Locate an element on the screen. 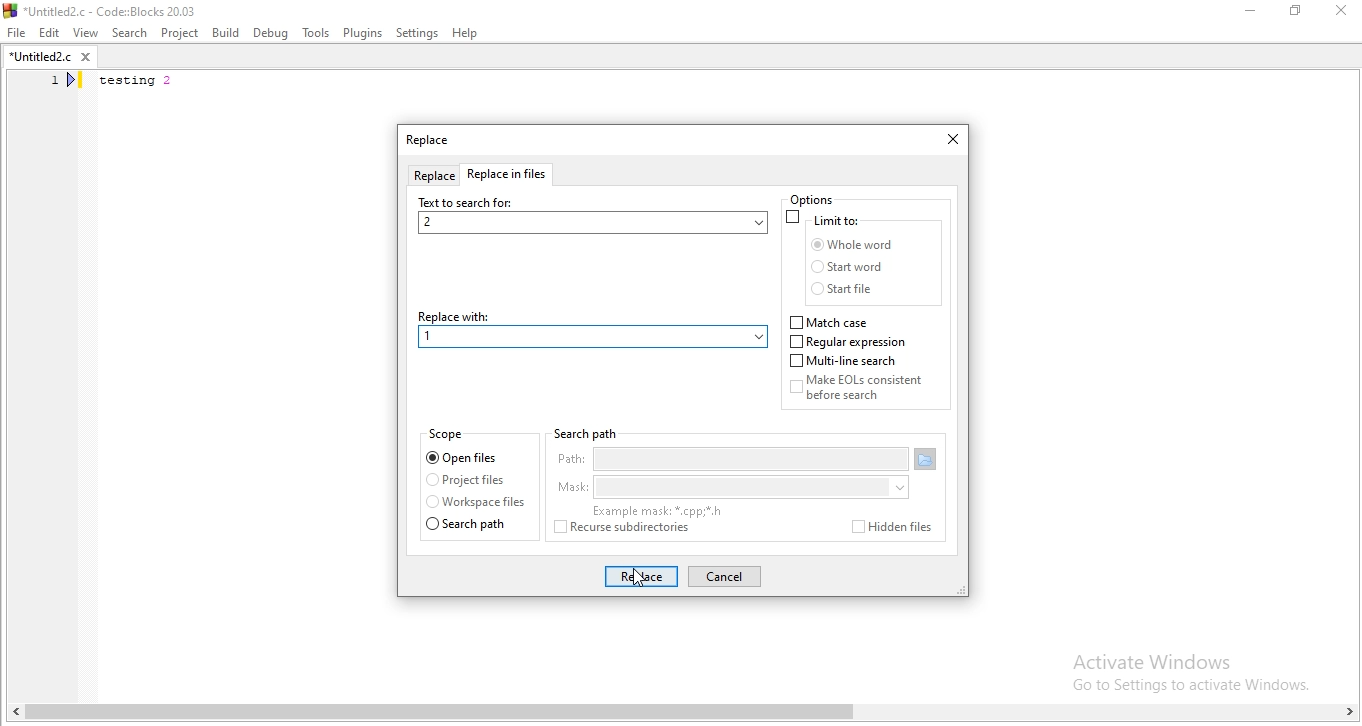 Image resolution: width=1362 pixels, height=726 pixels. line number is located at coordinates (65, 83).